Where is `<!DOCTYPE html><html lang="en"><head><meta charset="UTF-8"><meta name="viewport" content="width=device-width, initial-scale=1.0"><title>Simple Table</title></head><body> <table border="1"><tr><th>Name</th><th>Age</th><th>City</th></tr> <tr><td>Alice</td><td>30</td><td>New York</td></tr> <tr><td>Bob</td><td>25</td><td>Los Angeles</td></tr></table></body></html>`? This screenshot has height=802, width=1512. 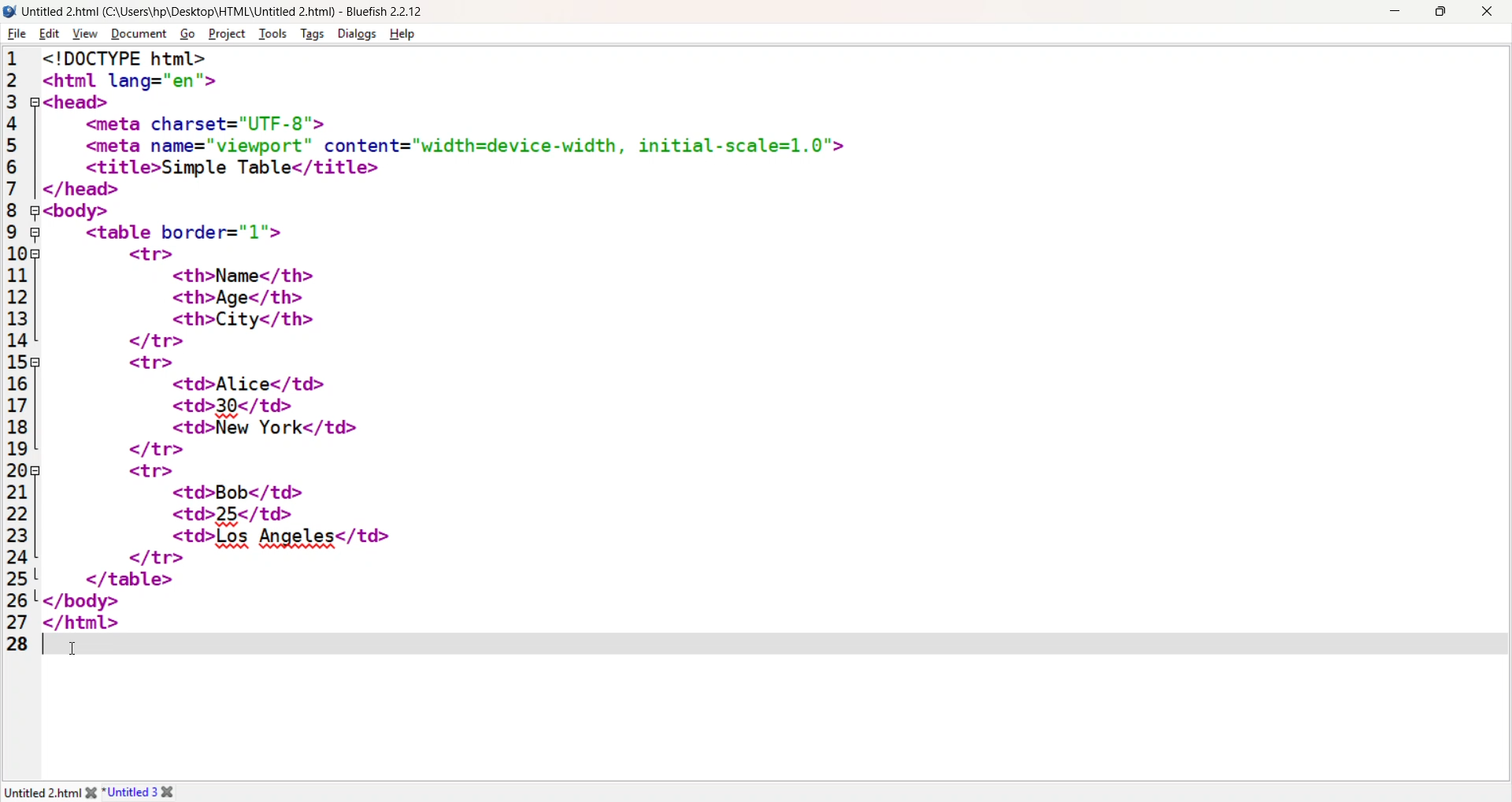
<!DOCTYPE html><html lang="en"><head><meta charset="UTF-8"><meta name="viewport" content="width=device-width, initial-scale=1.0"><title>Simple Table</title></head><body> <table border="1"><tr><th>Name</th><th>Age</th><th>City</th></tr> <tr><td>Alice</td><td>30</td><td>New York</td></tr> <tr><td>Bob</td><td>25</td><td>Los Angeles</td></tr></table></body></html> is located at coordinates (453, 340).